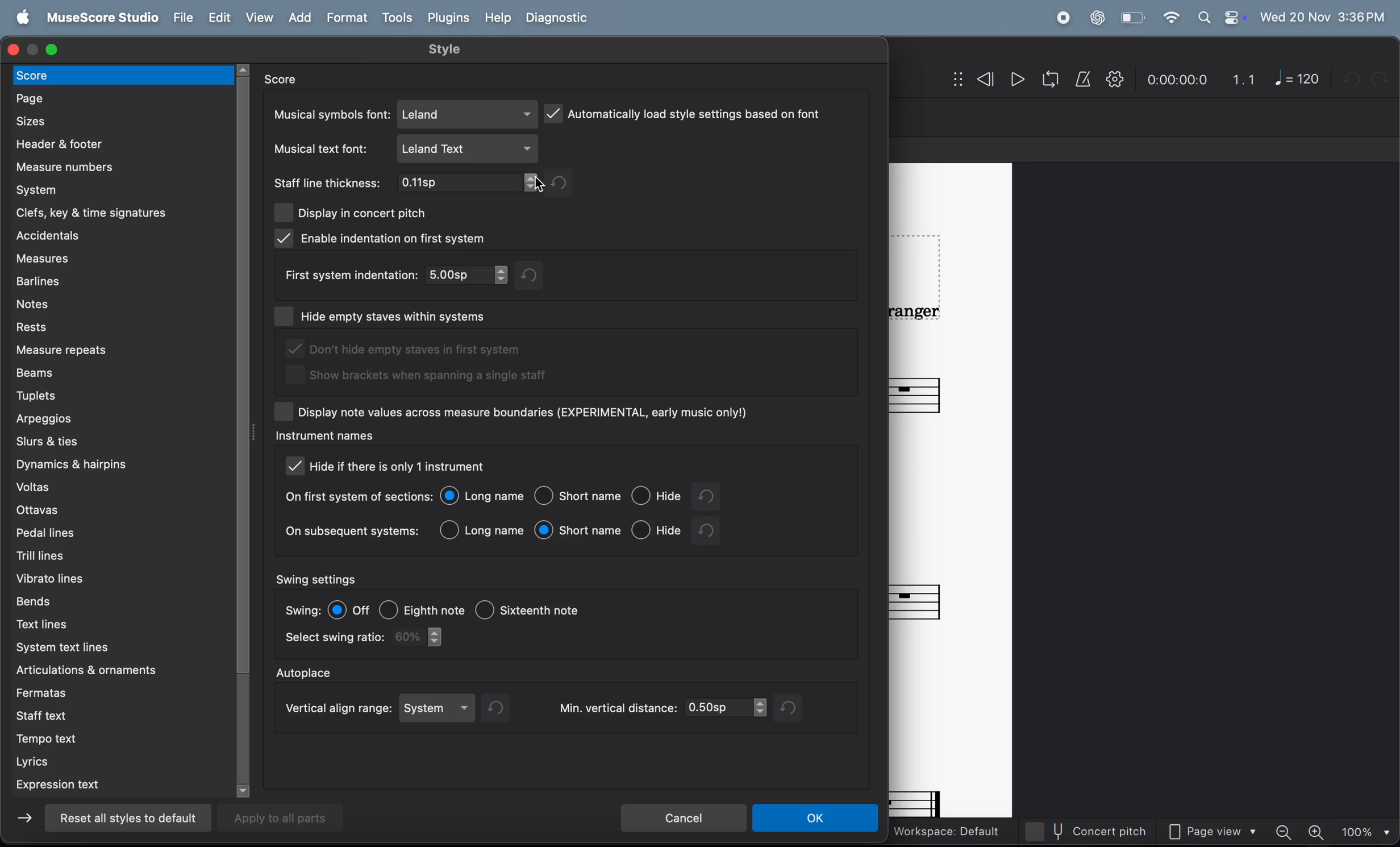 The height and width of the screenshot is (847, 1400). Describe the element at coordinates (116, 762) in the screenshot. I see `lyrics` at that location.